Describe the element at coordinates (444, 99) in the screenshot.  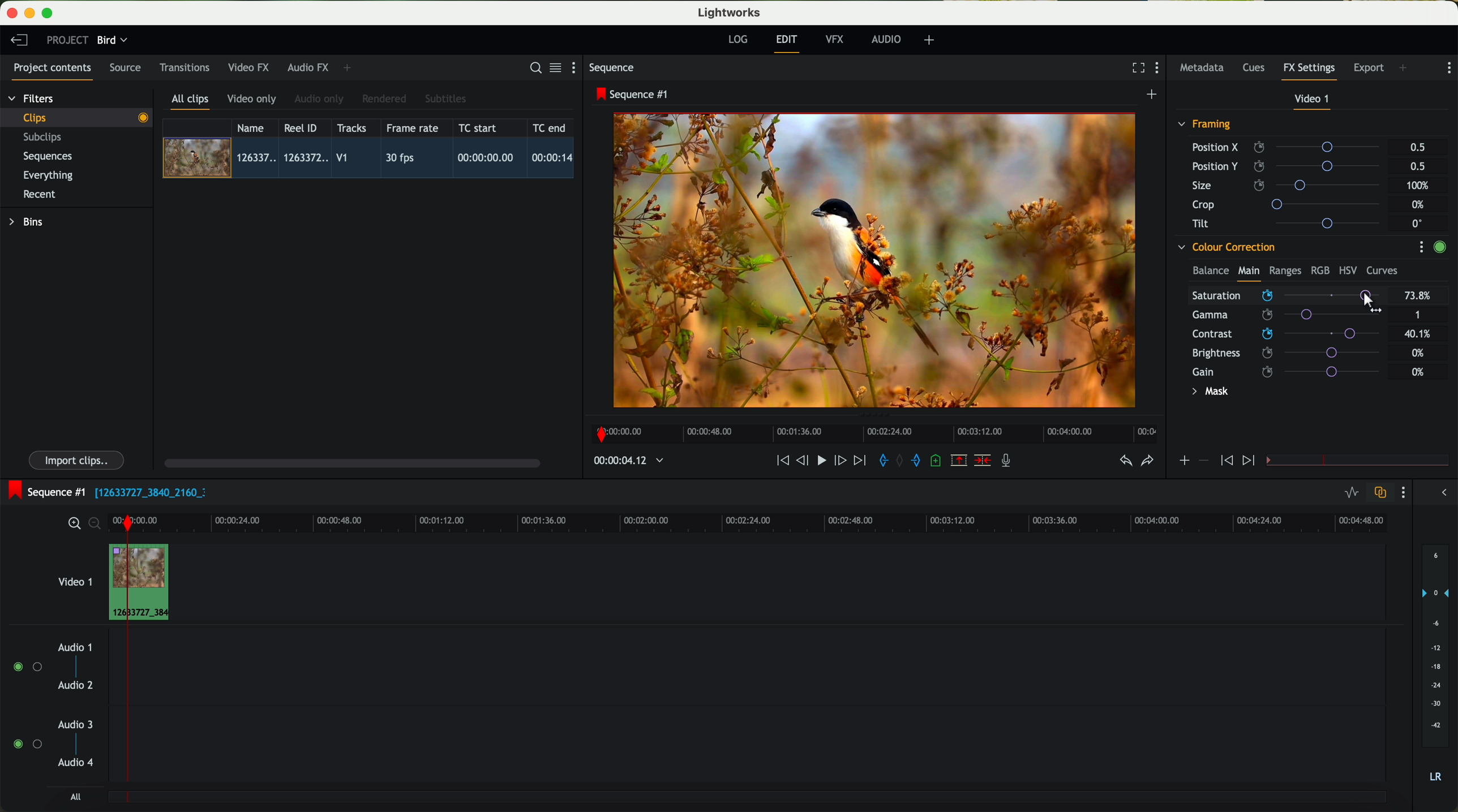
I see `subtitles` at that location.